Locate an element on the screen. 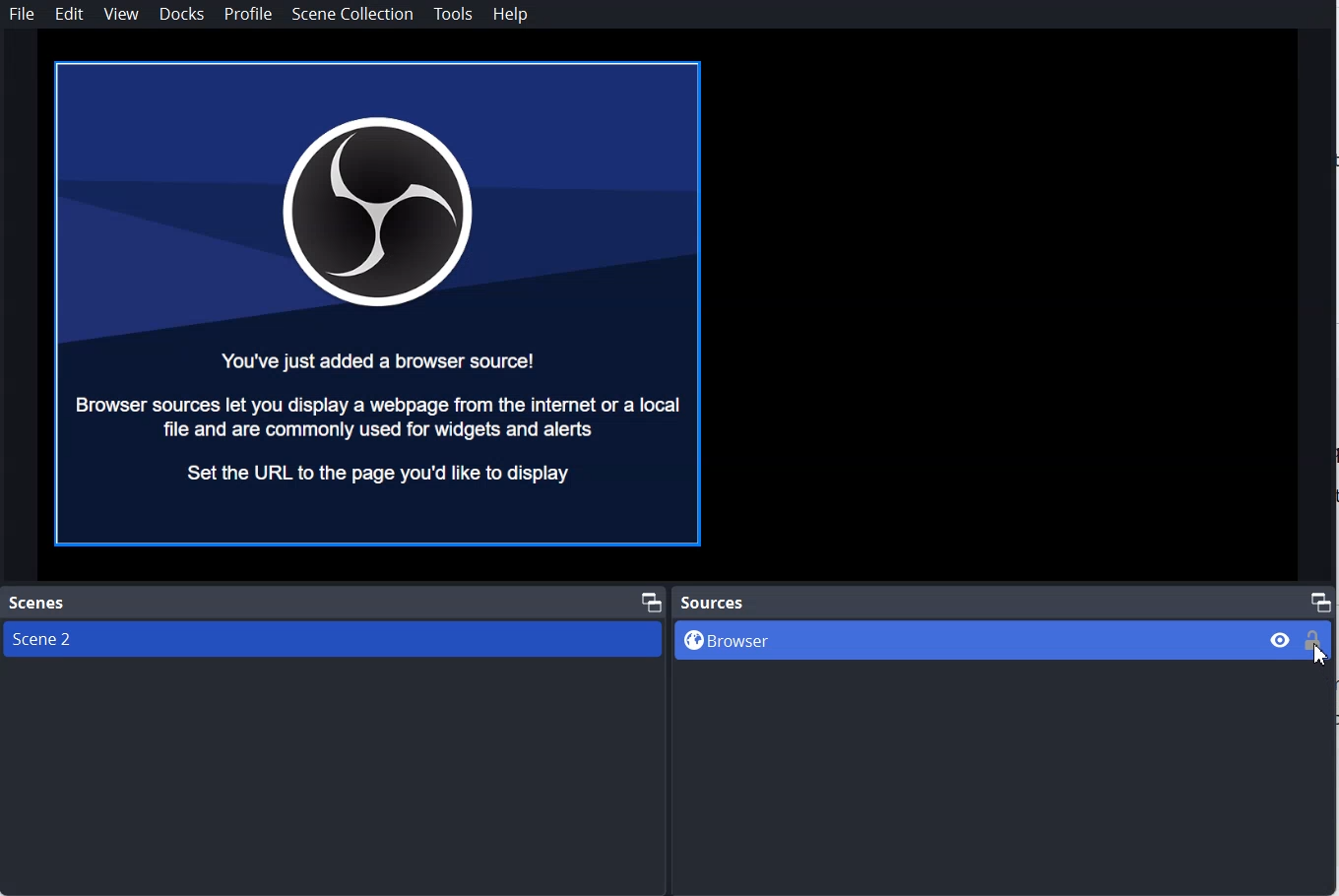 Image resolution: width=1339 pixels, height=896 pixels. Profile is located at coordinates (247, 15).